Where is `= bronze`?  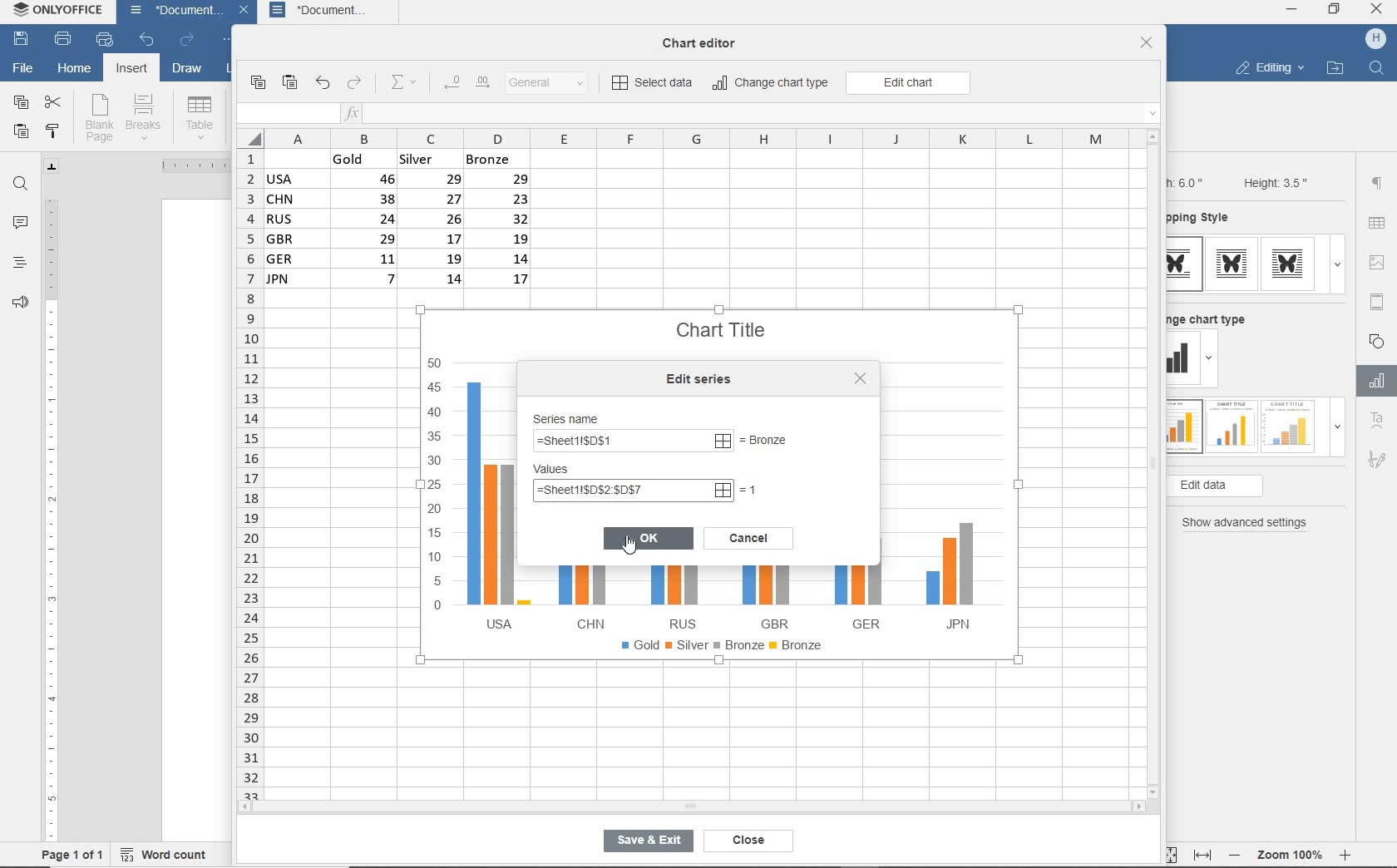
= bronze is located at coordinates (781, 441).